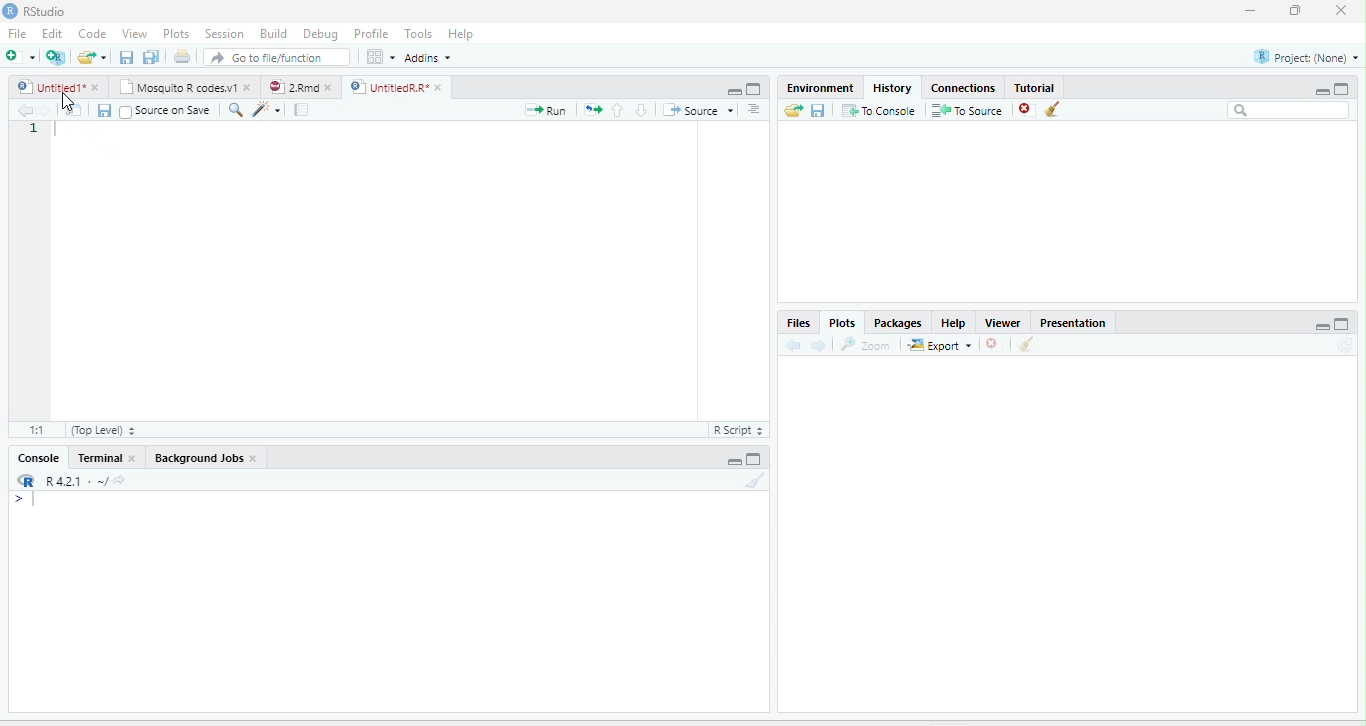 The image size is (1366, 726). Describe the element at coordinates (225, 33) in the screenshot. I see `Session` at that location.